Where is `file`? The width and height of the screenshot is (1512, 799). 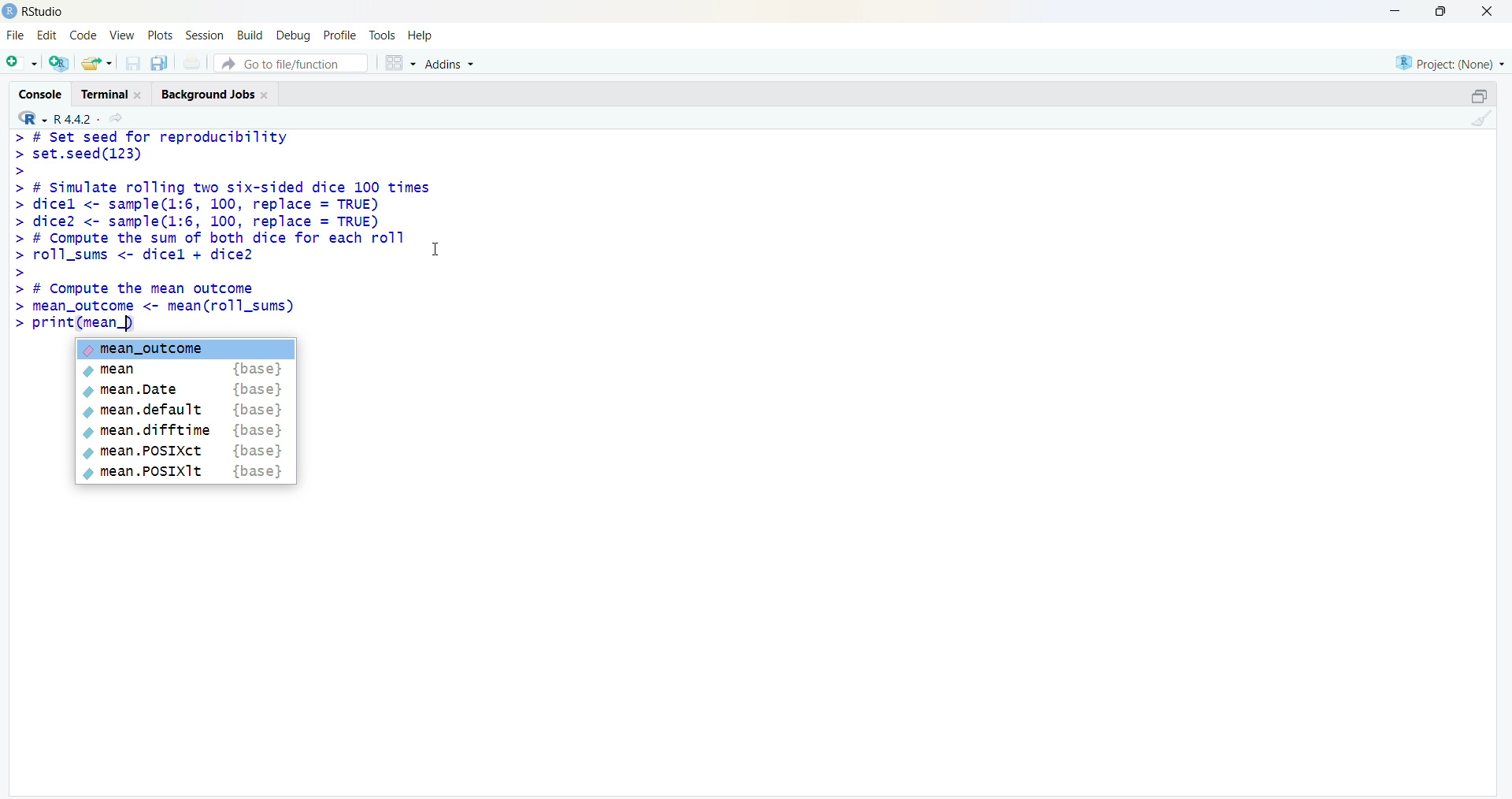
file is located at coordinates (16, 35).